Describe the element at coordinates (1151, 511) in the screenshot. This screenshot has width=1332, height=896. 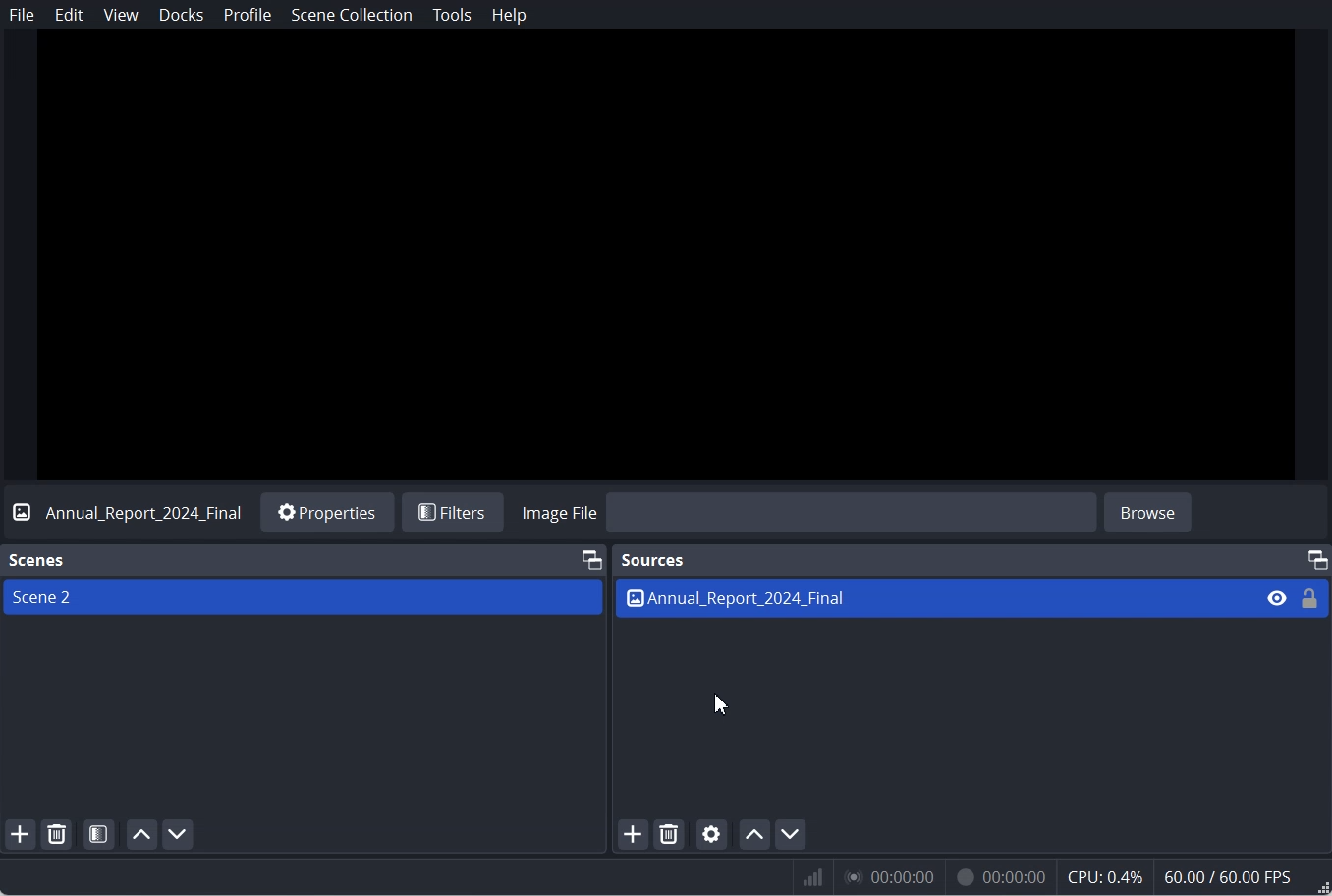
I see `browse` at that location.